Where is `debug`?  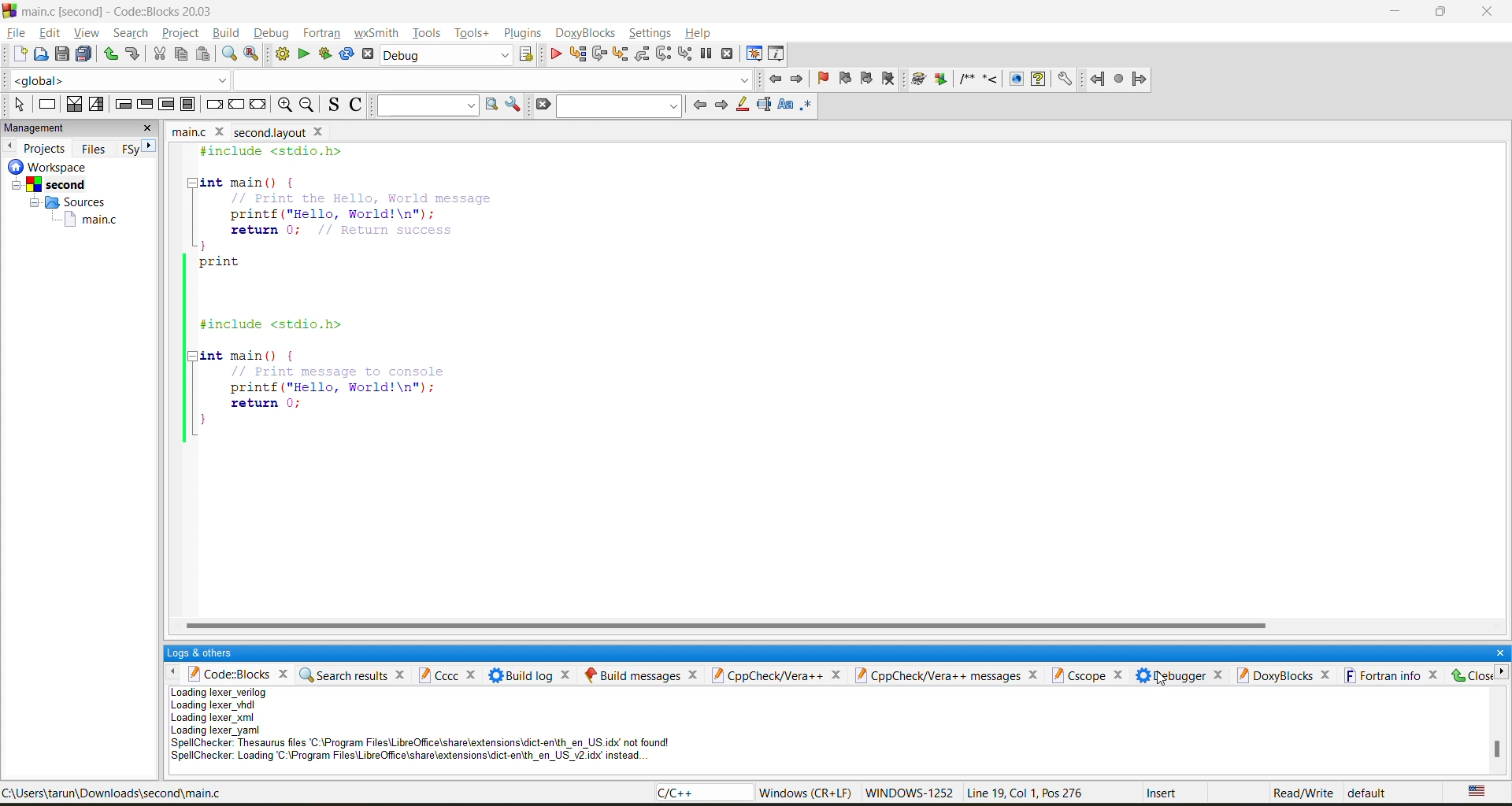
debug is located at coordinates (273, 35).